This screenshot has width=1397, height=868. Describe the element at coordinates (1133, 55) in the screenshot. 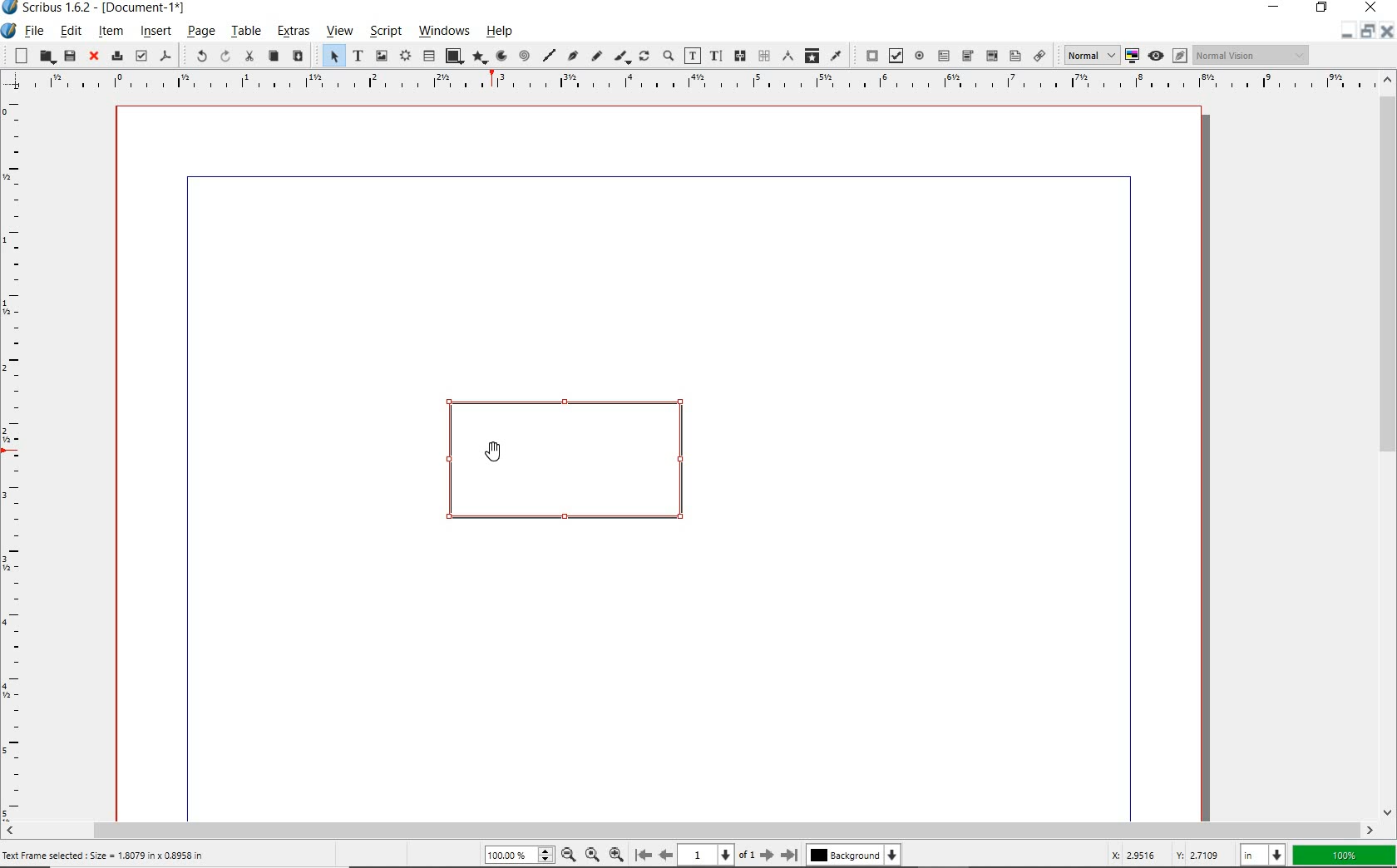

I see `toggle color` at that location.